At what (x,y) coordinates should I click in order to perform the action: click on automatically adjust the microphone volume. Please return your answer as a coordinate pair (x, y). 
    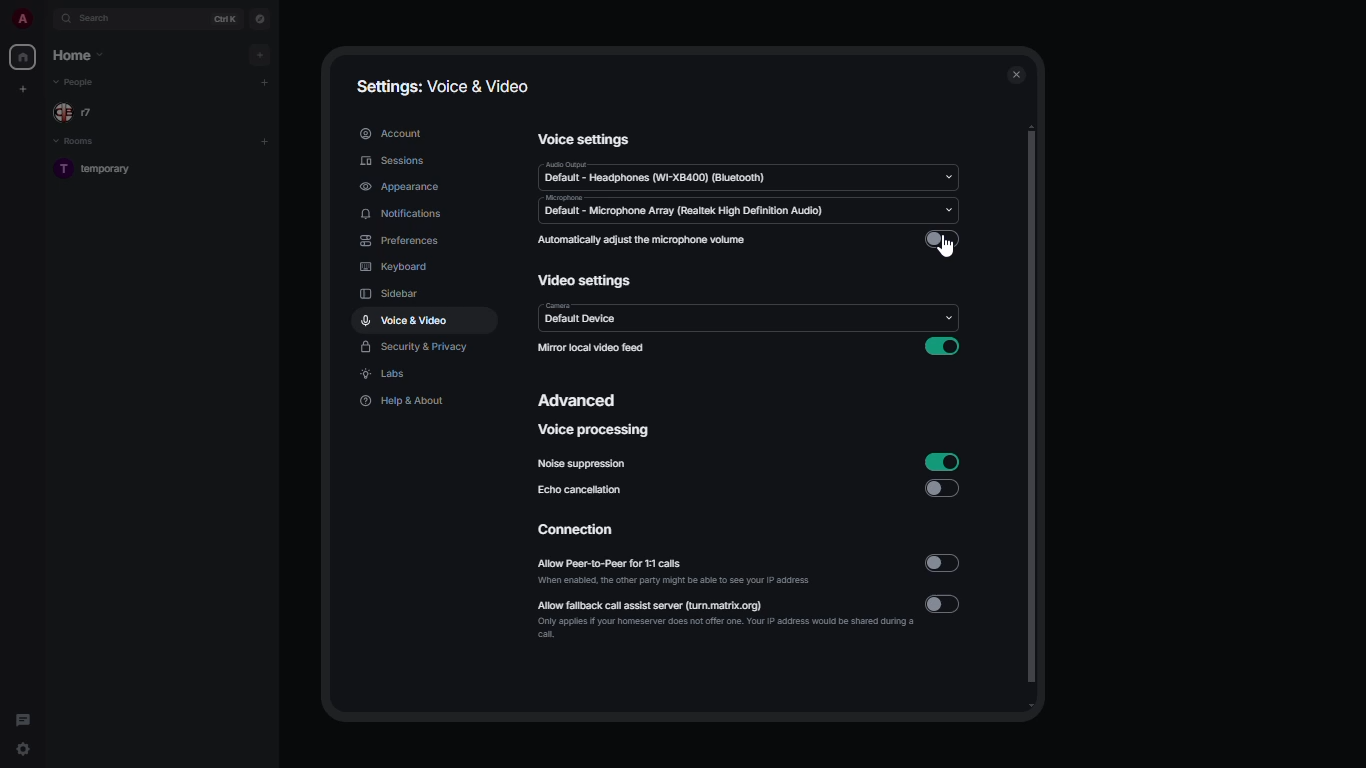
    Looking at the image, I should click on (642, 240).